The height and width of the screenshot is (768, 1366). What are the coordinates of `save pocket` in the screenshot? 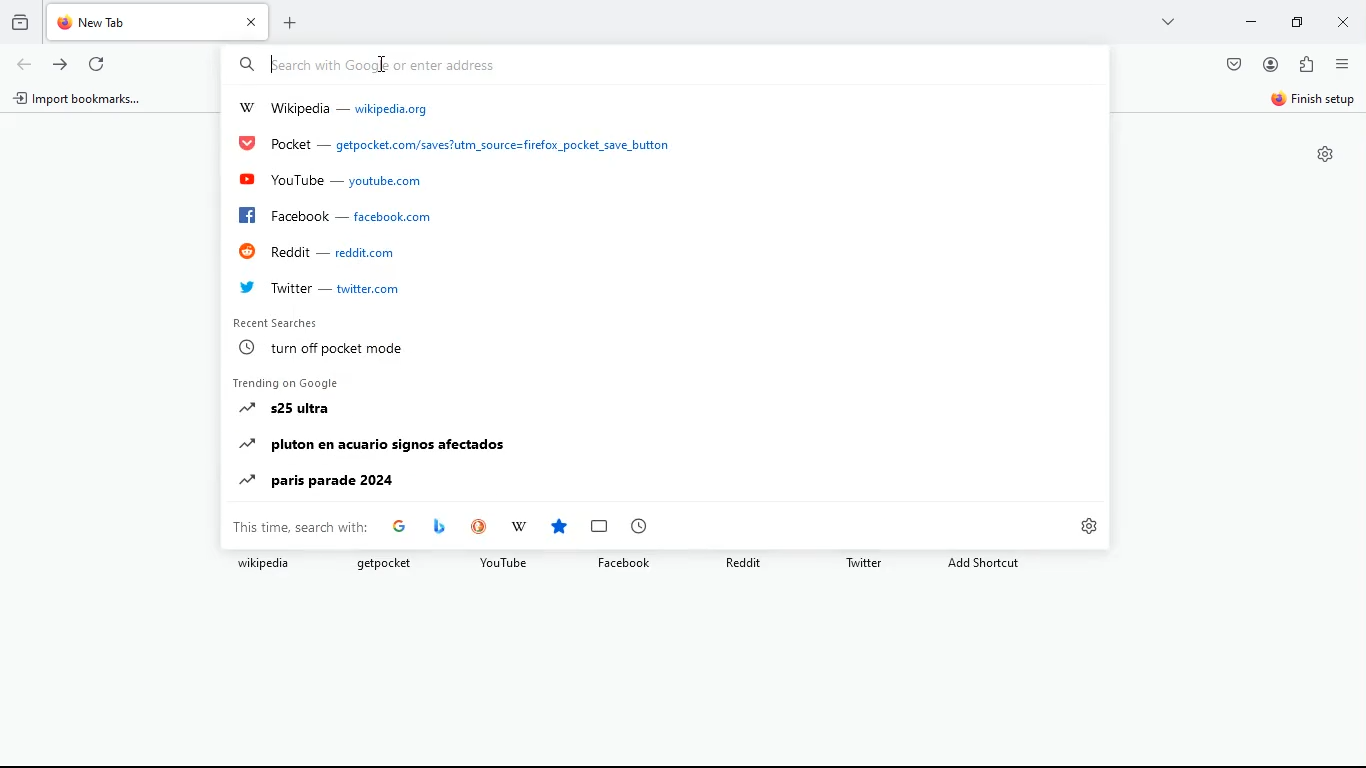 It's located at (1233, 66).